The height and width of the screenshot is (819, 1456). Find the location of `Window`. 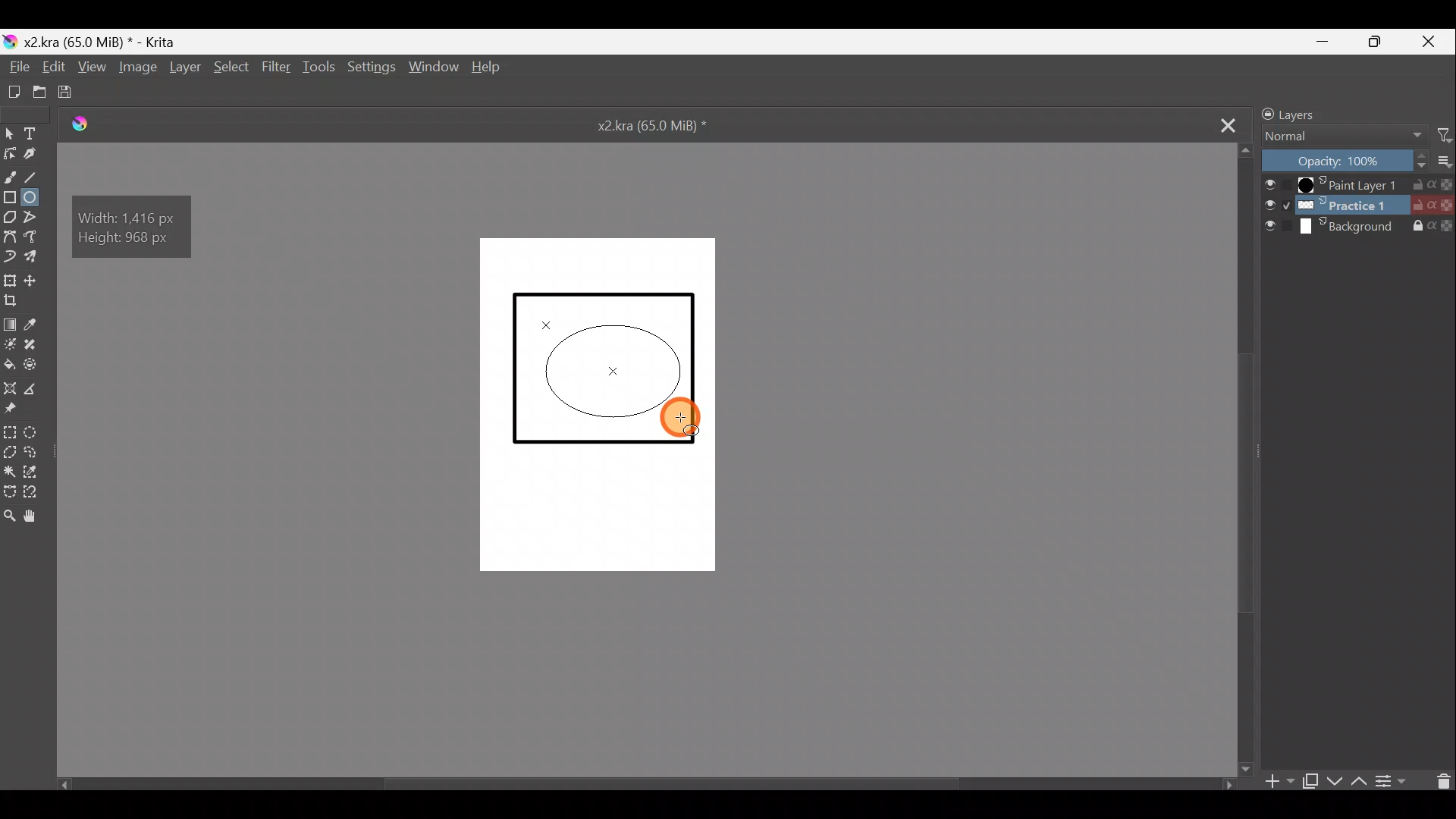

Window is located at coordinates (437, 68).